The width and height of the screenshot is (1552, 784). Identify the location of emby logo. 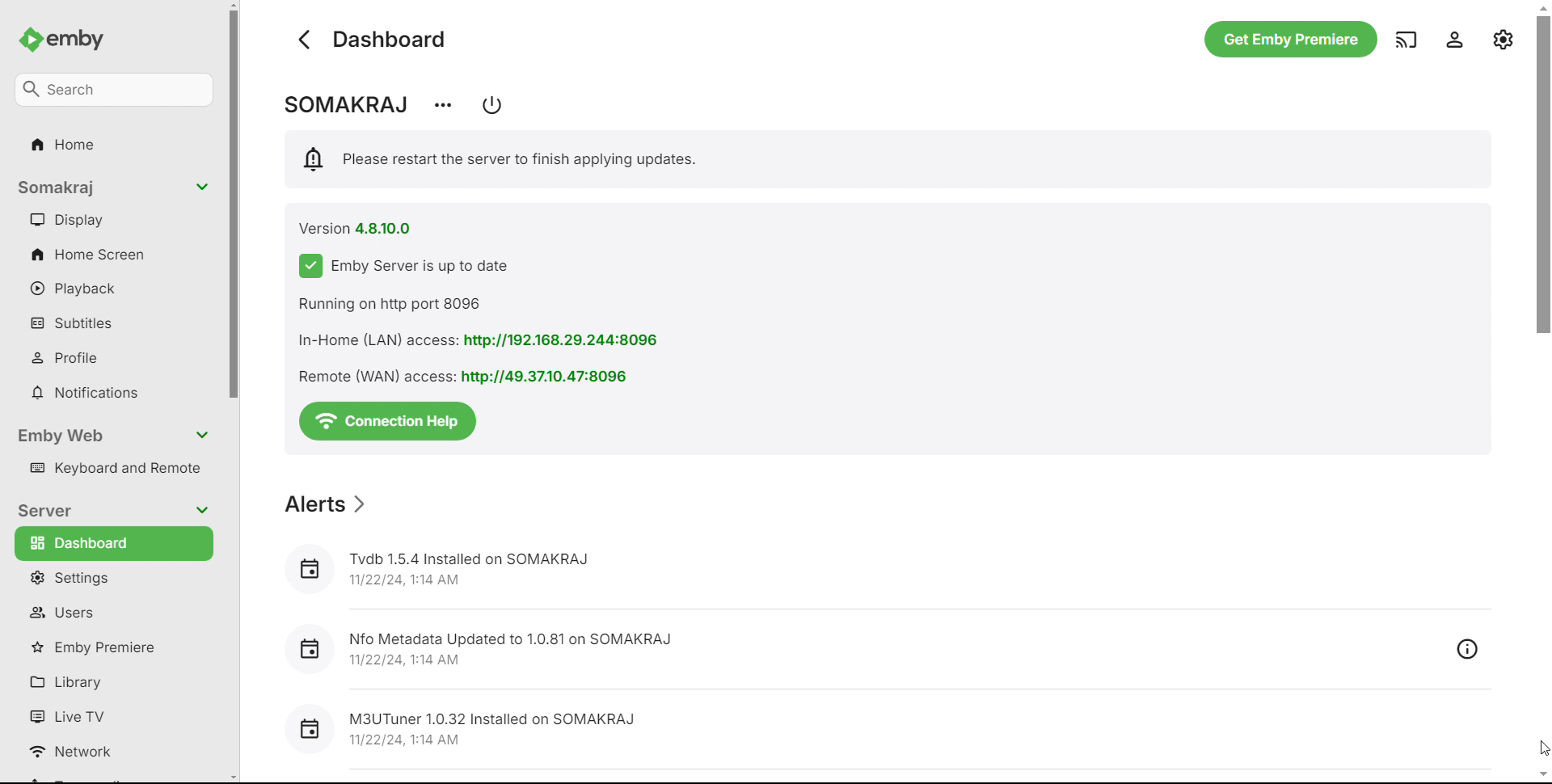
(31, 40).